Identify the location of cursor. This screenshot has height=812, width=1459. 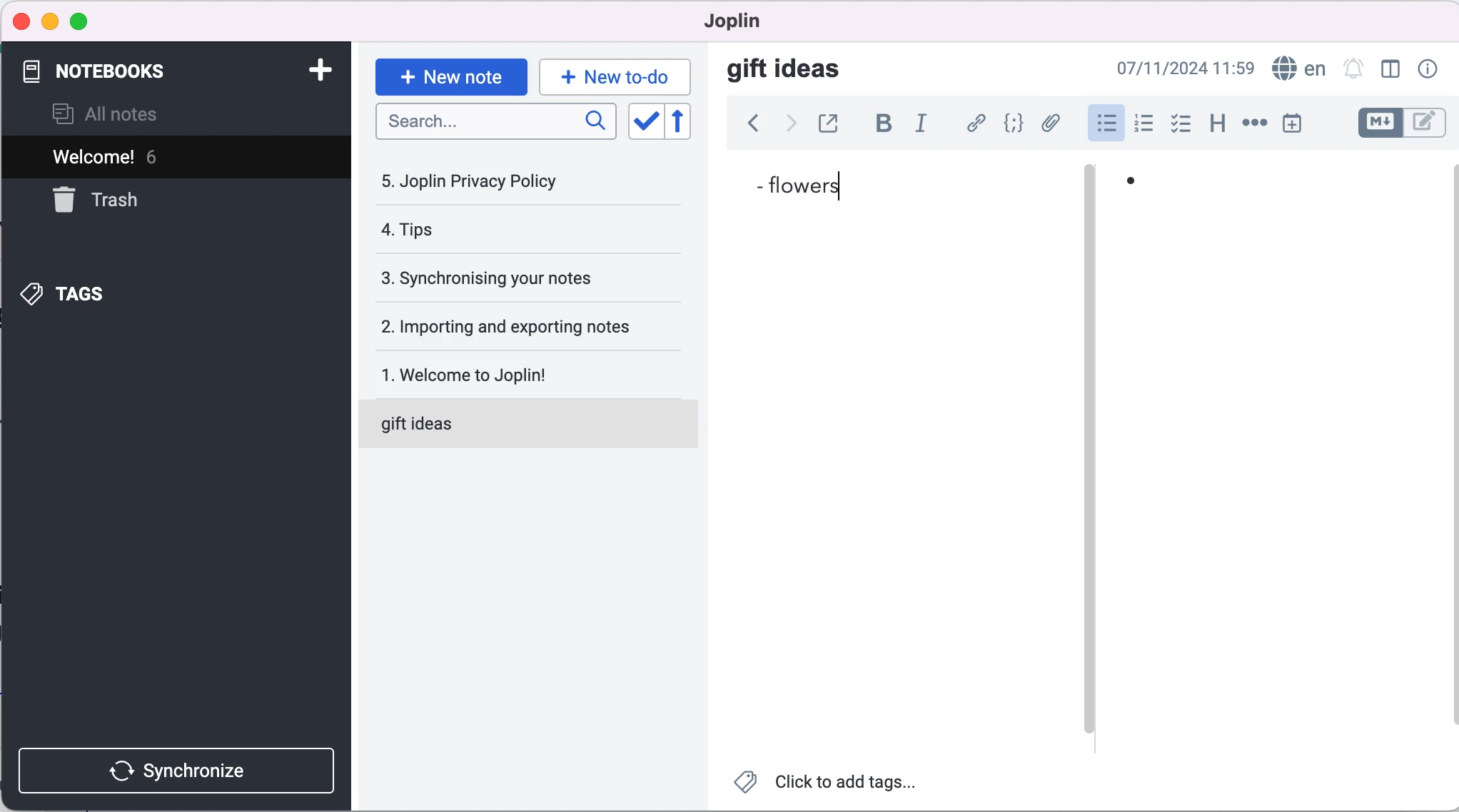
(849, 183).